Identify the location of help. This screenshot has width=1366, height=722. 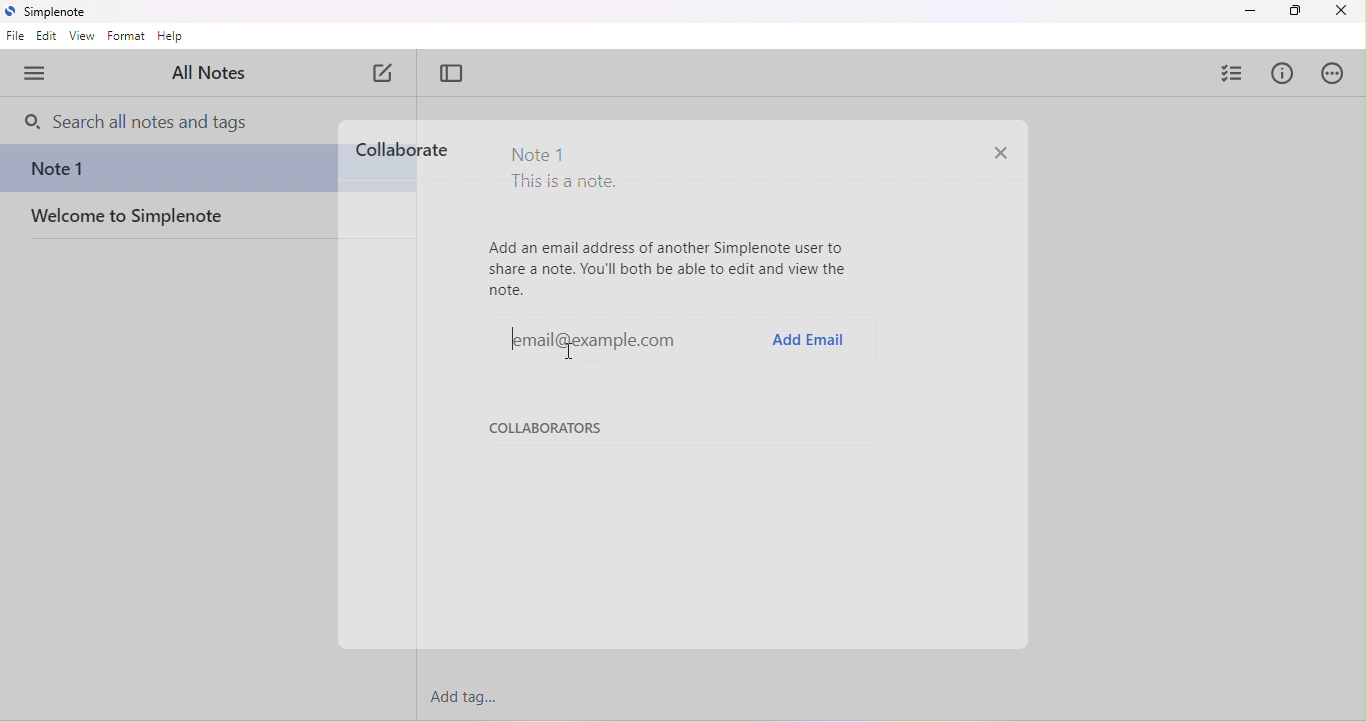
(171, 37).